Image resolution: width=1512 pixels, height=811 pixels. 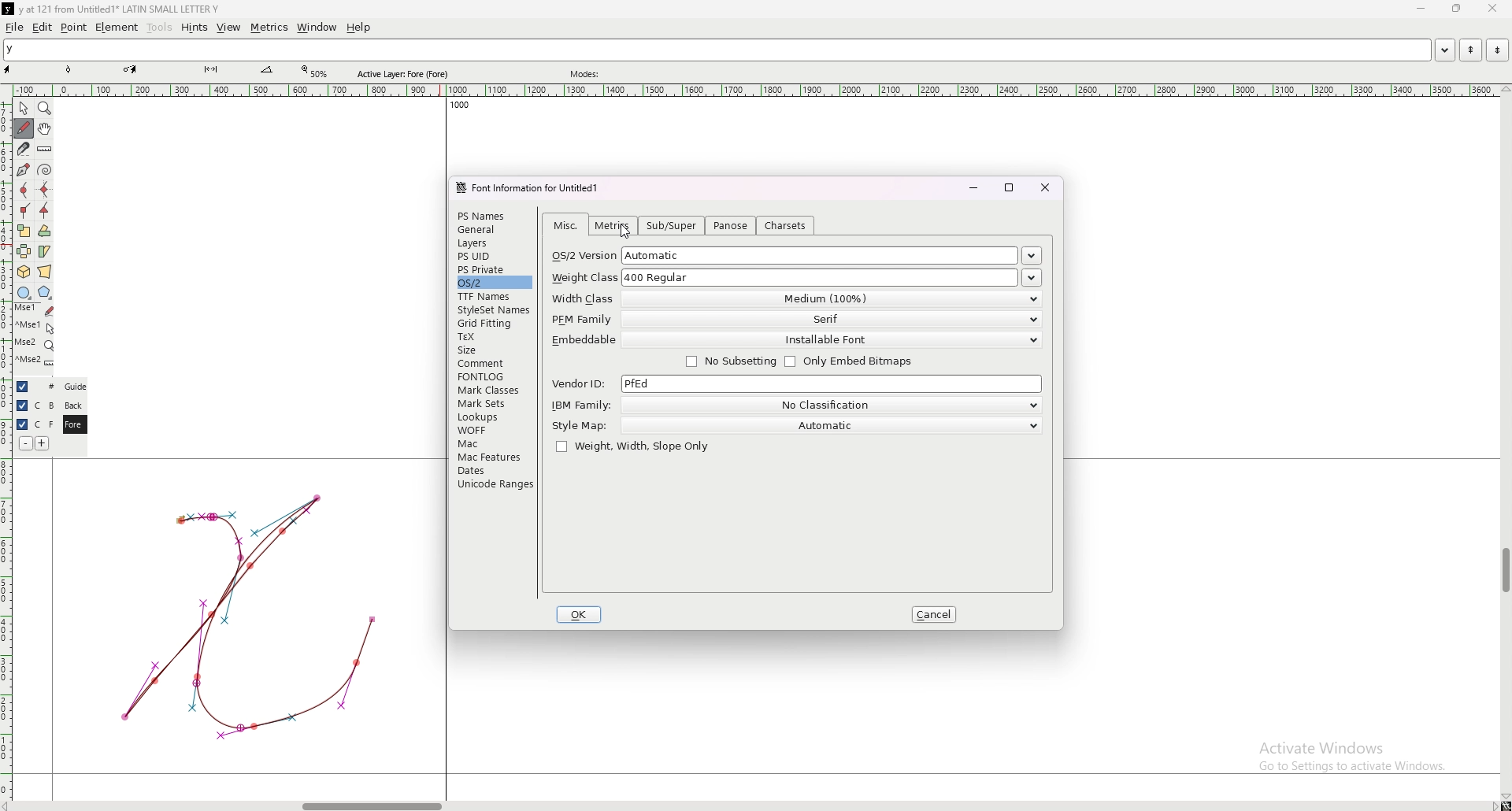 I want to click on add layer, so click(x=43, y=443).